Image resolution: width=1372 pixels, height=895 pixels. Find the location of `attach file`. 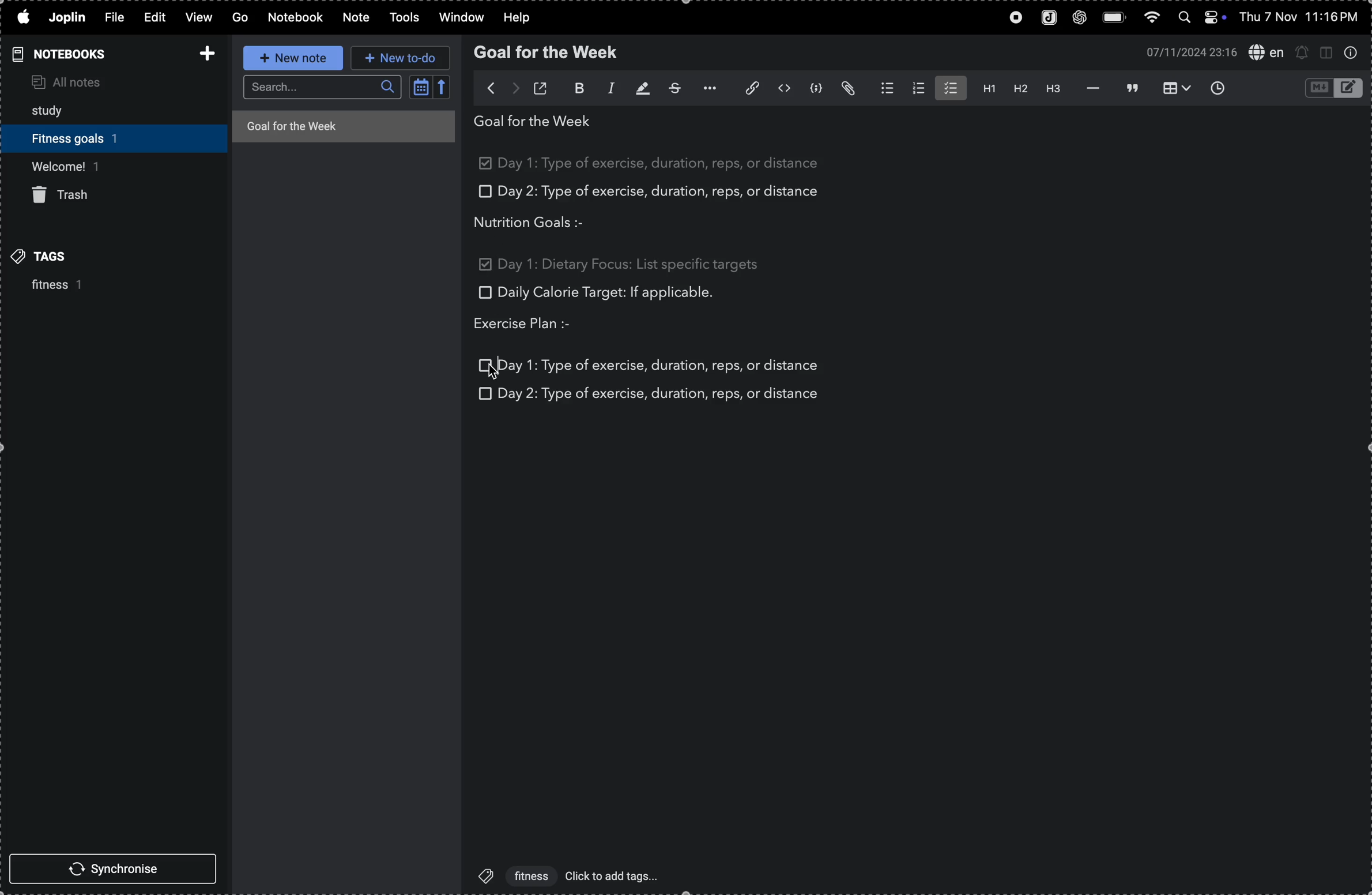

attach file is located at coordinates (849, 89).